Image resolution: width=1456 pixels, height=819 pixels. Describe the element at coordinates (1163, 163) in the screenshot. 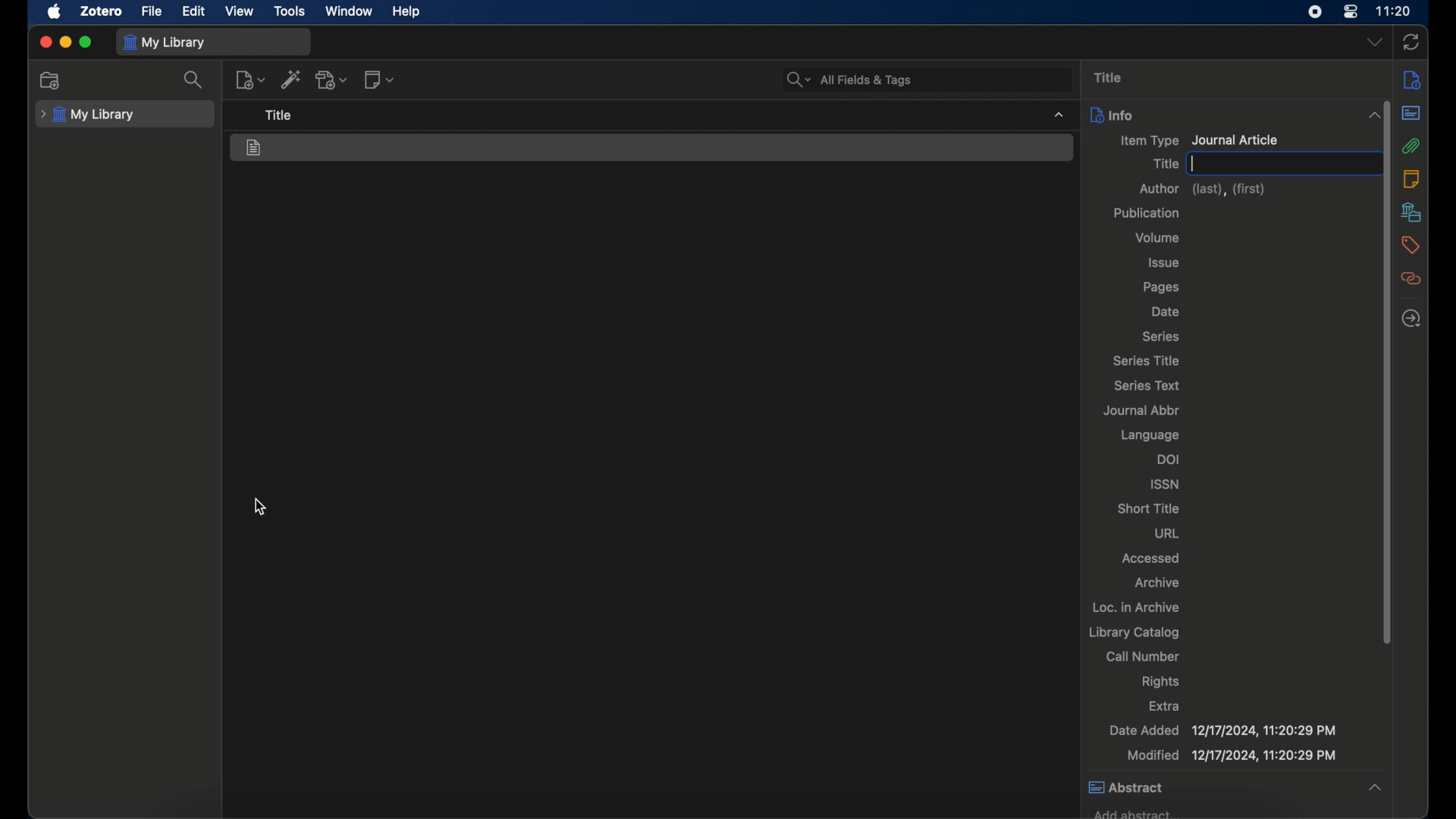

I see `title` at that location.